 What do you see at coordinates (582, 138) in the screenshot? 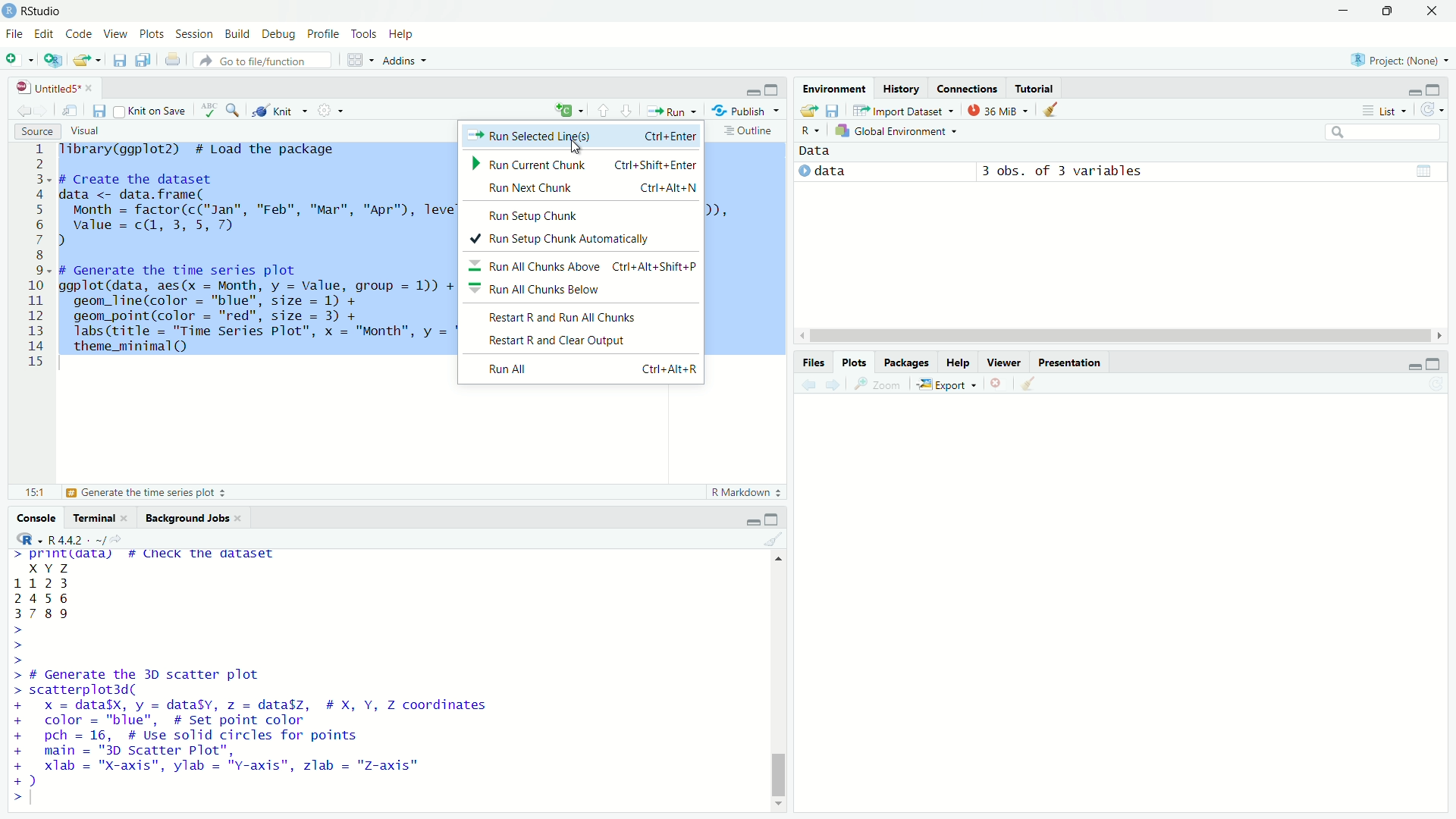
I see `run selected line(s)` at bounding box center [582, 138].